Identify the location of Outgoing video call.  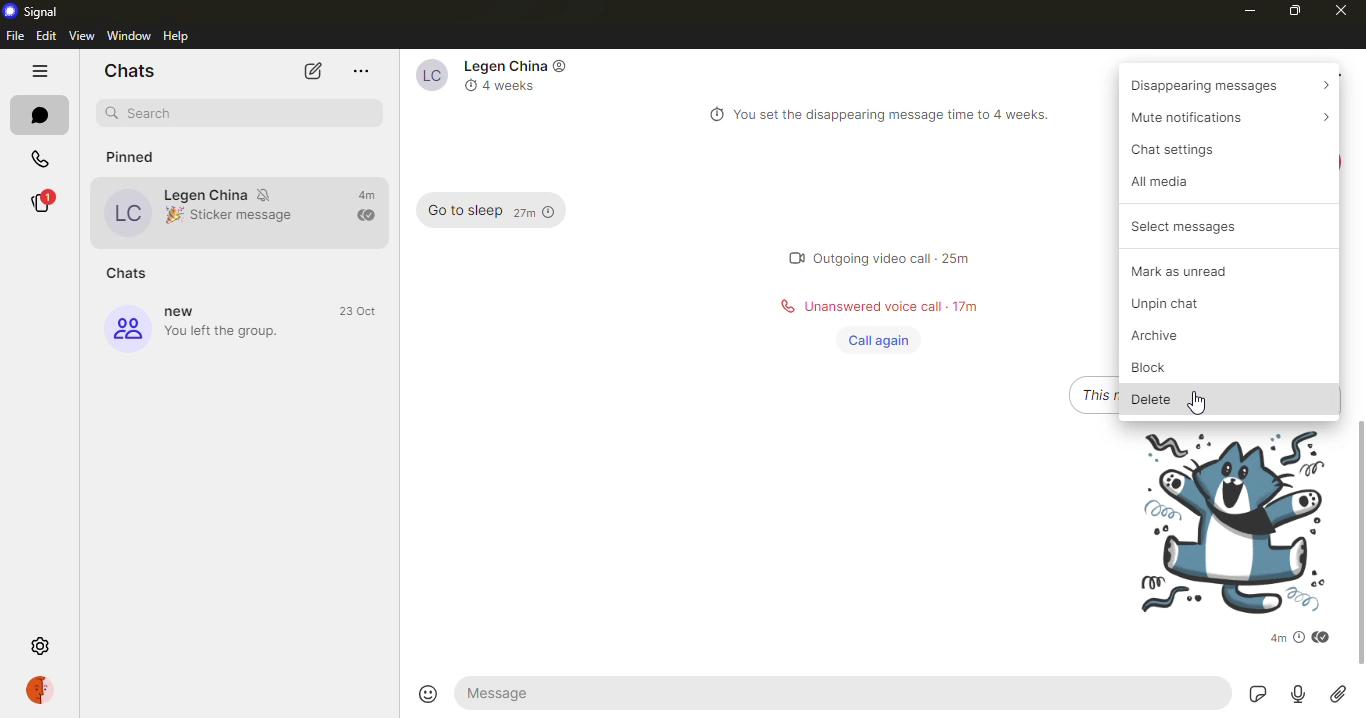
(873, 259).